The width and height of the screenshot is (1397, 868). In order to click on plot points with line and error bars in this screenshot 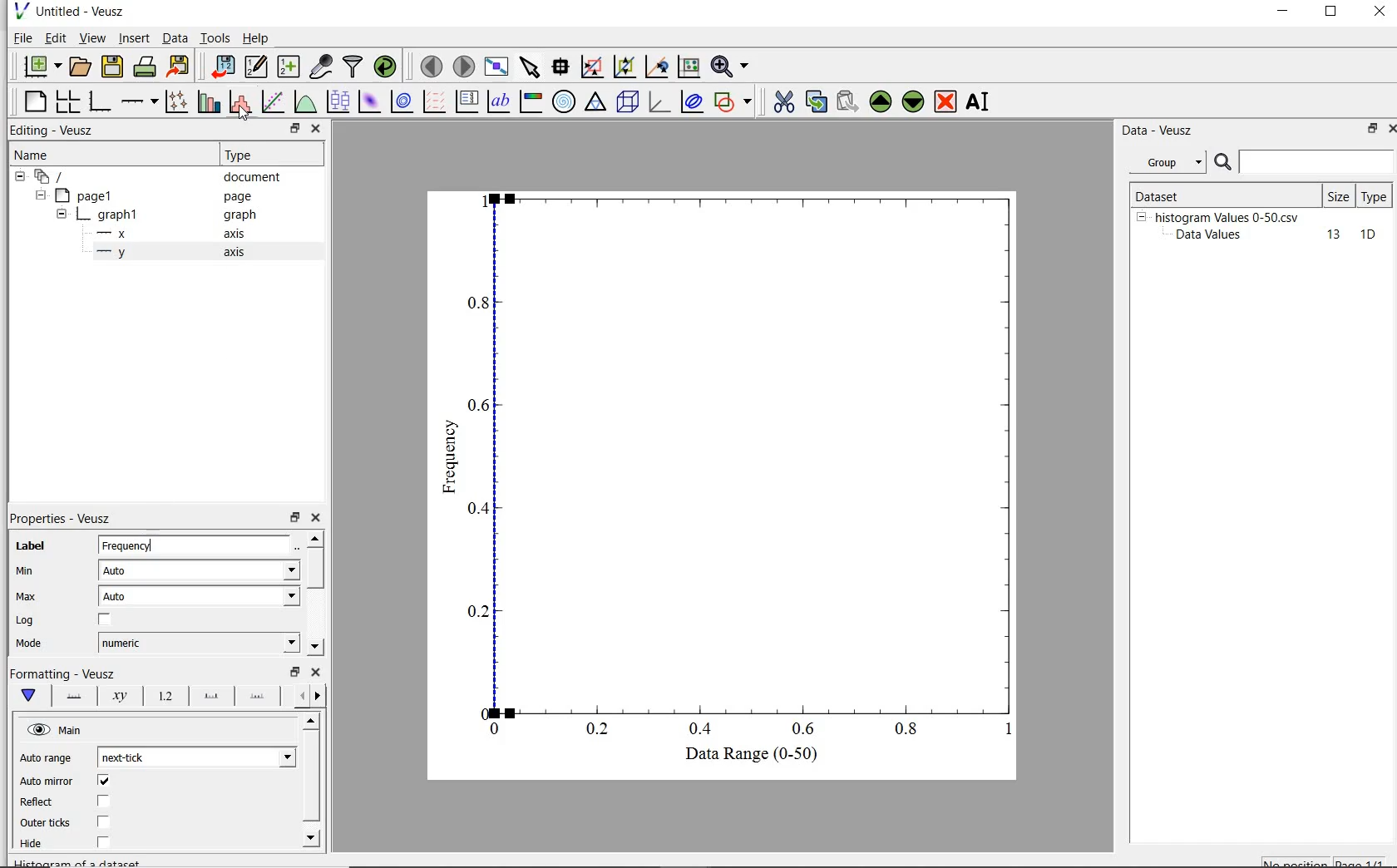, I will do `click(177, 101)`.